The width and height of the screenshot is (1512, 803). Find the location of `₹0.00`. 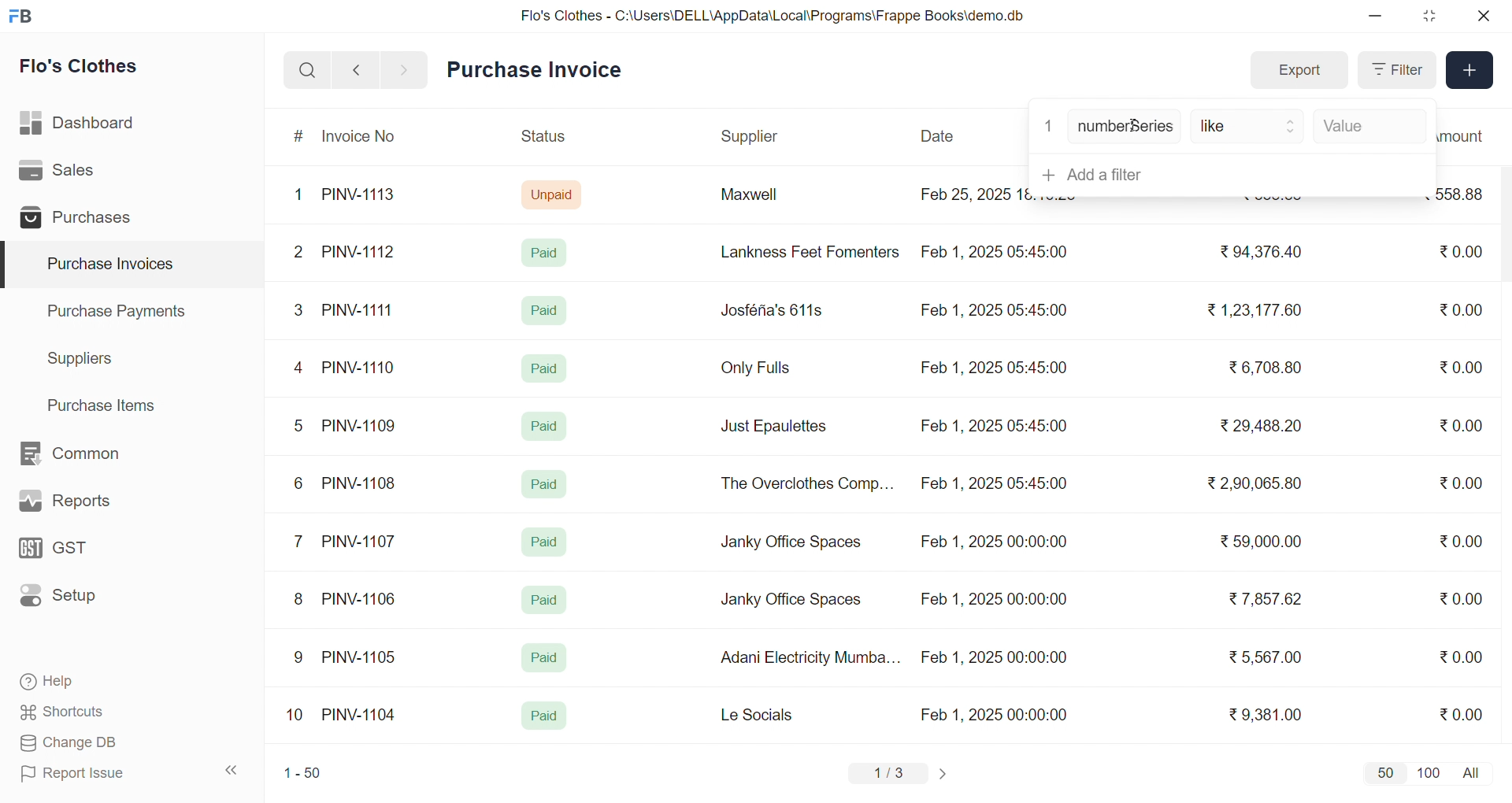

₹0.00 is located at coordinates (1460, 485).